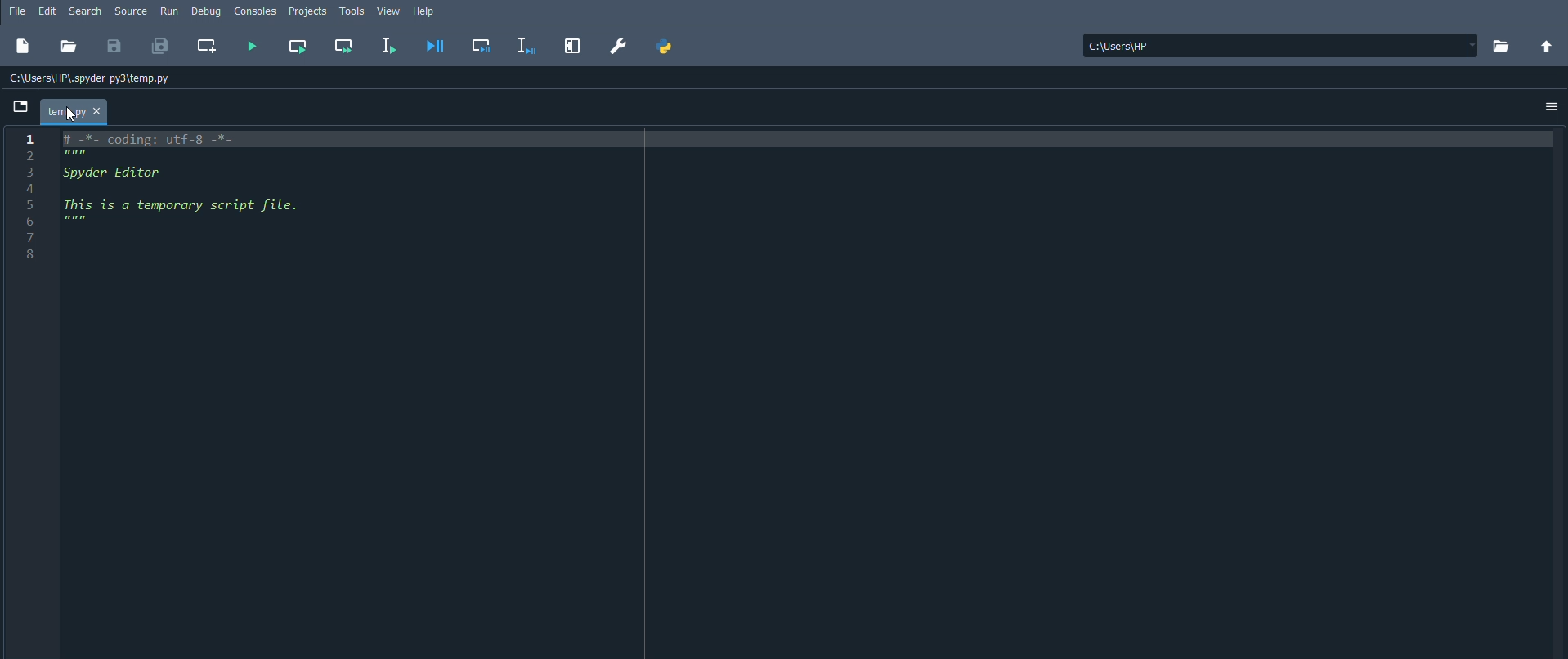 This screenshot has height=659, width=1568. Describe the element at coordinates (426, 11) in the screenshot. I see `Help` at that location.